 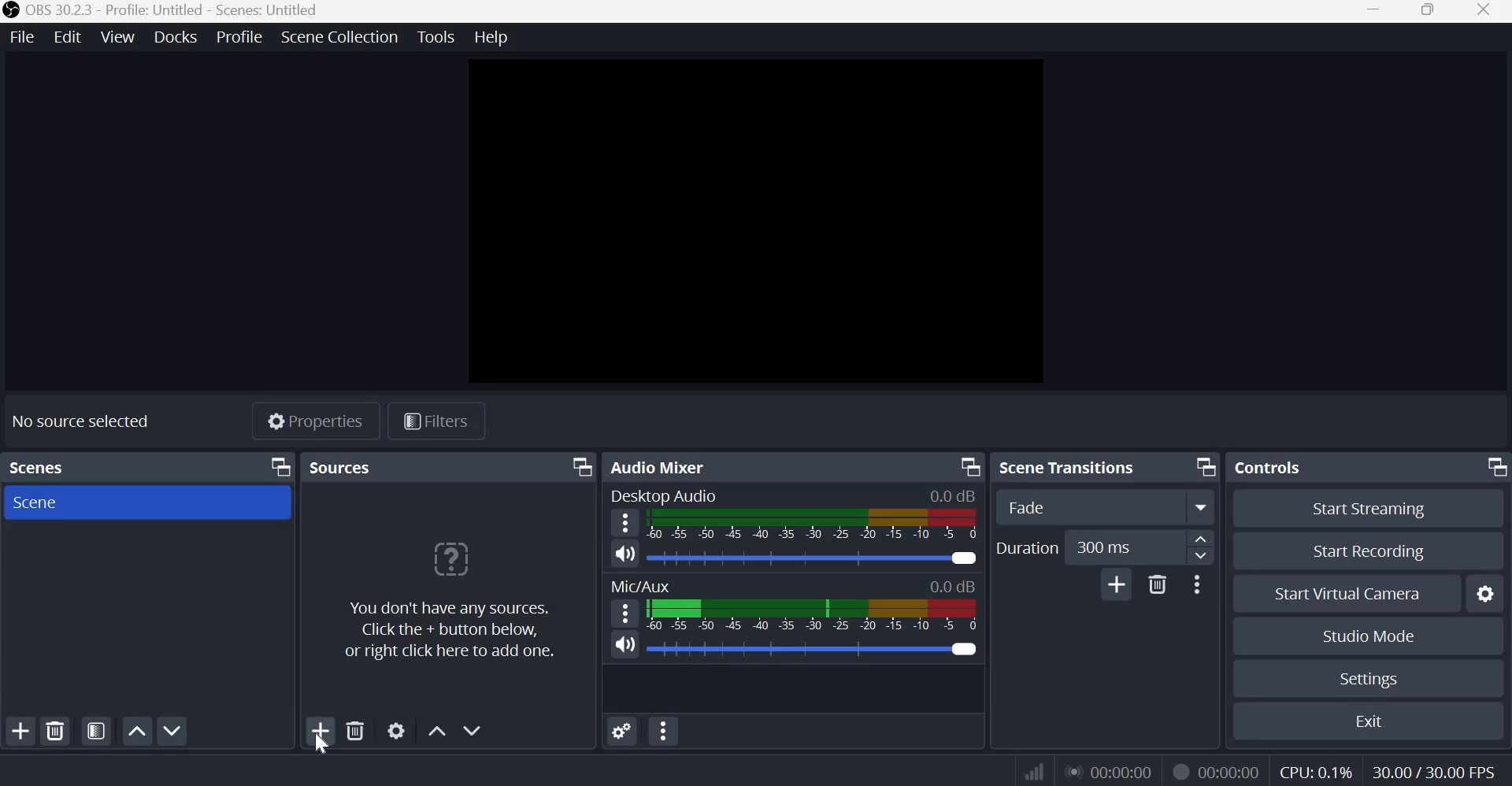 I want to click on Remove selected sources(s), so click(x=355, y=729).